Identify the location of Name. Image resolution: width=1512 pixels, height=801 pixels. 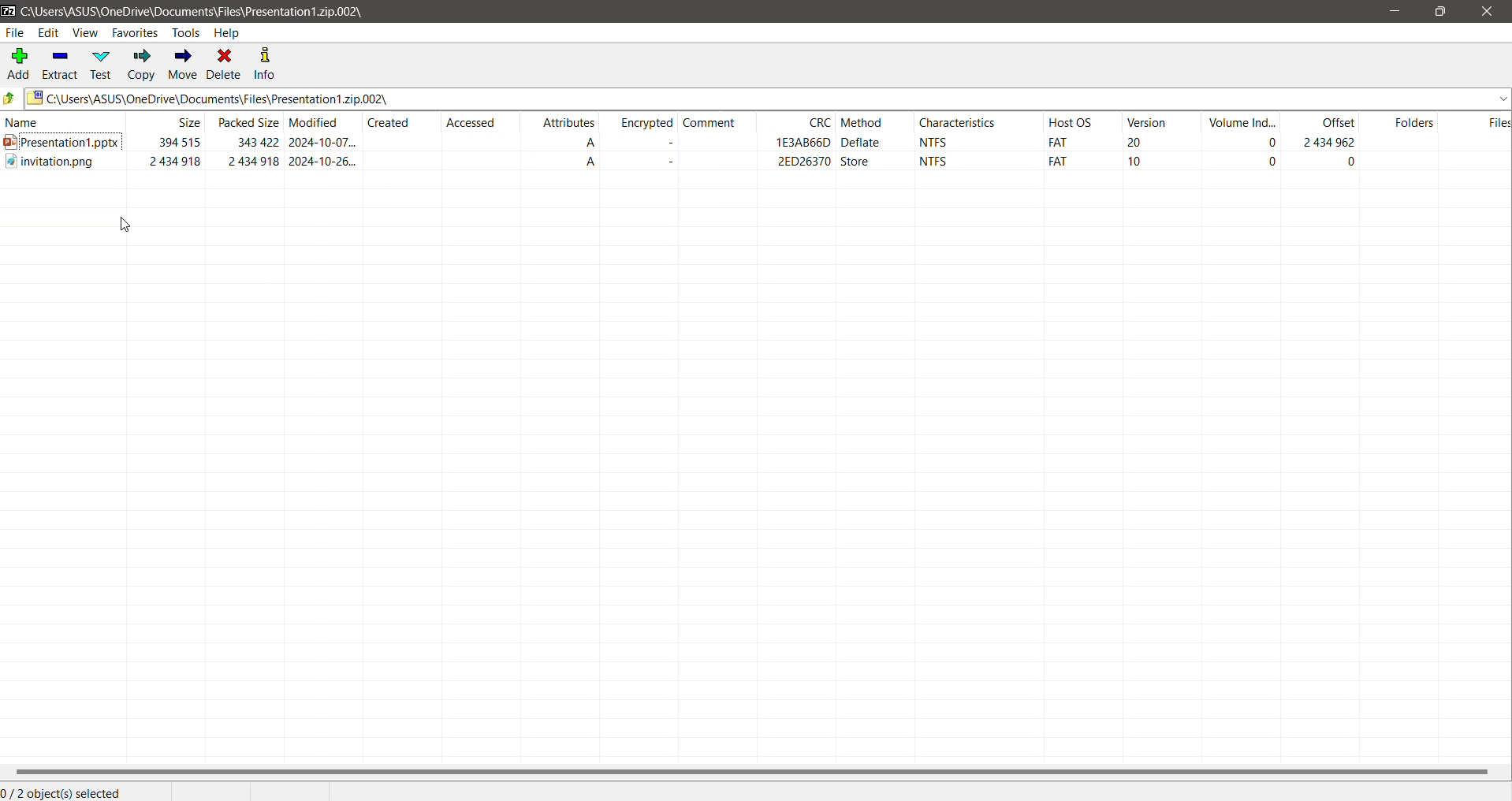
(60, 121).